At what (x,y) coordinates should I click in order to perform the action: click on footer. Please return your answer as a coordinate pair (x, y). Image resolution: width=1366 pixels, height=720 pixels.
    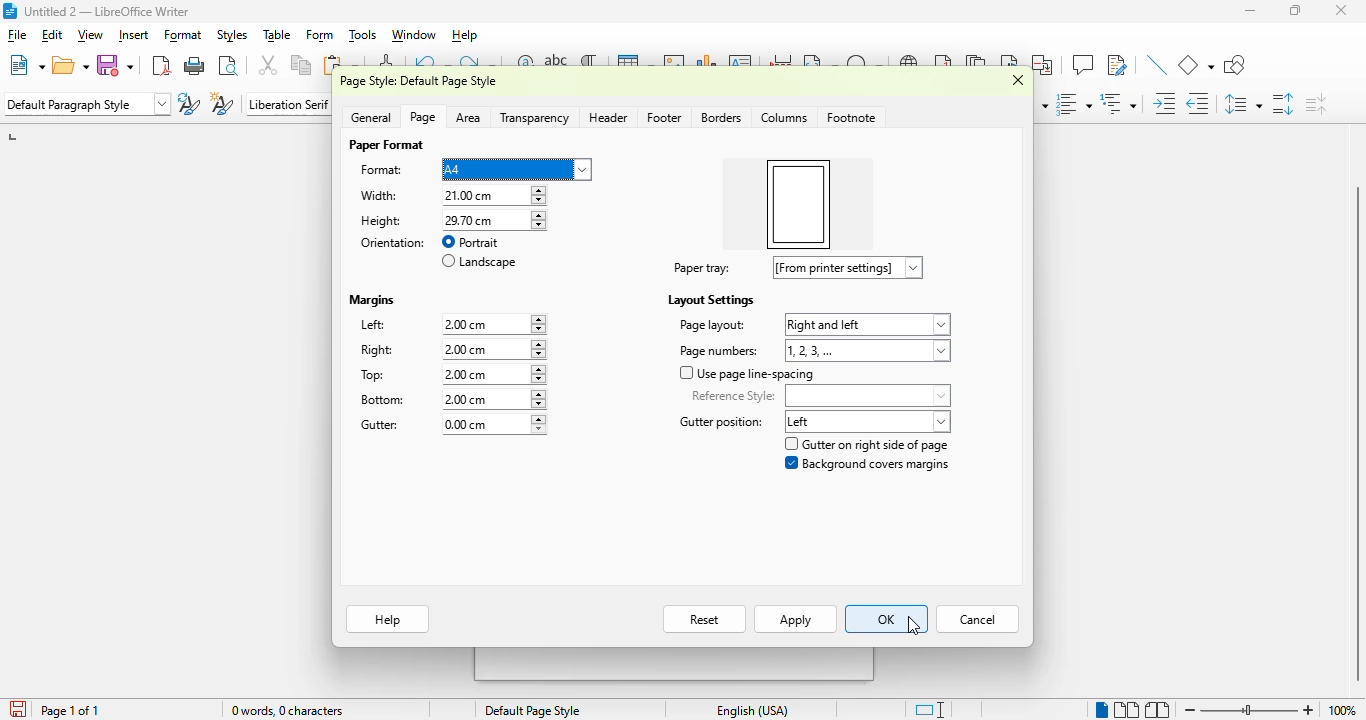
    Looking at the image, I should click on (663, 117).